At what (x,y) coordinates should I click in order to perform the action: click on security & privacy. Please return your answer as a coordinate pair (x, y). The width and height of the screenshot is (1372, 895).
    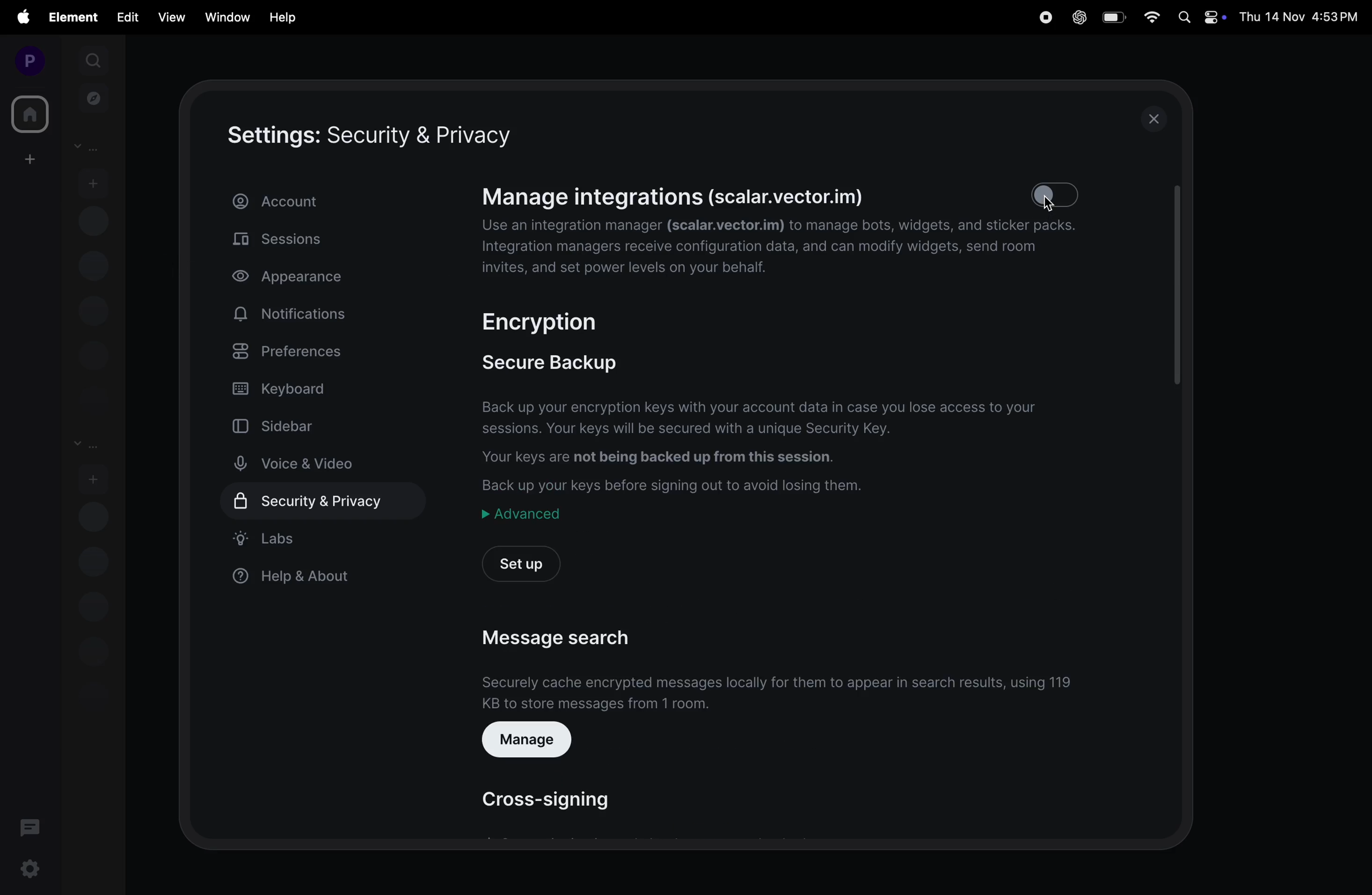
    Looking at the image, I should click on (314, 505).